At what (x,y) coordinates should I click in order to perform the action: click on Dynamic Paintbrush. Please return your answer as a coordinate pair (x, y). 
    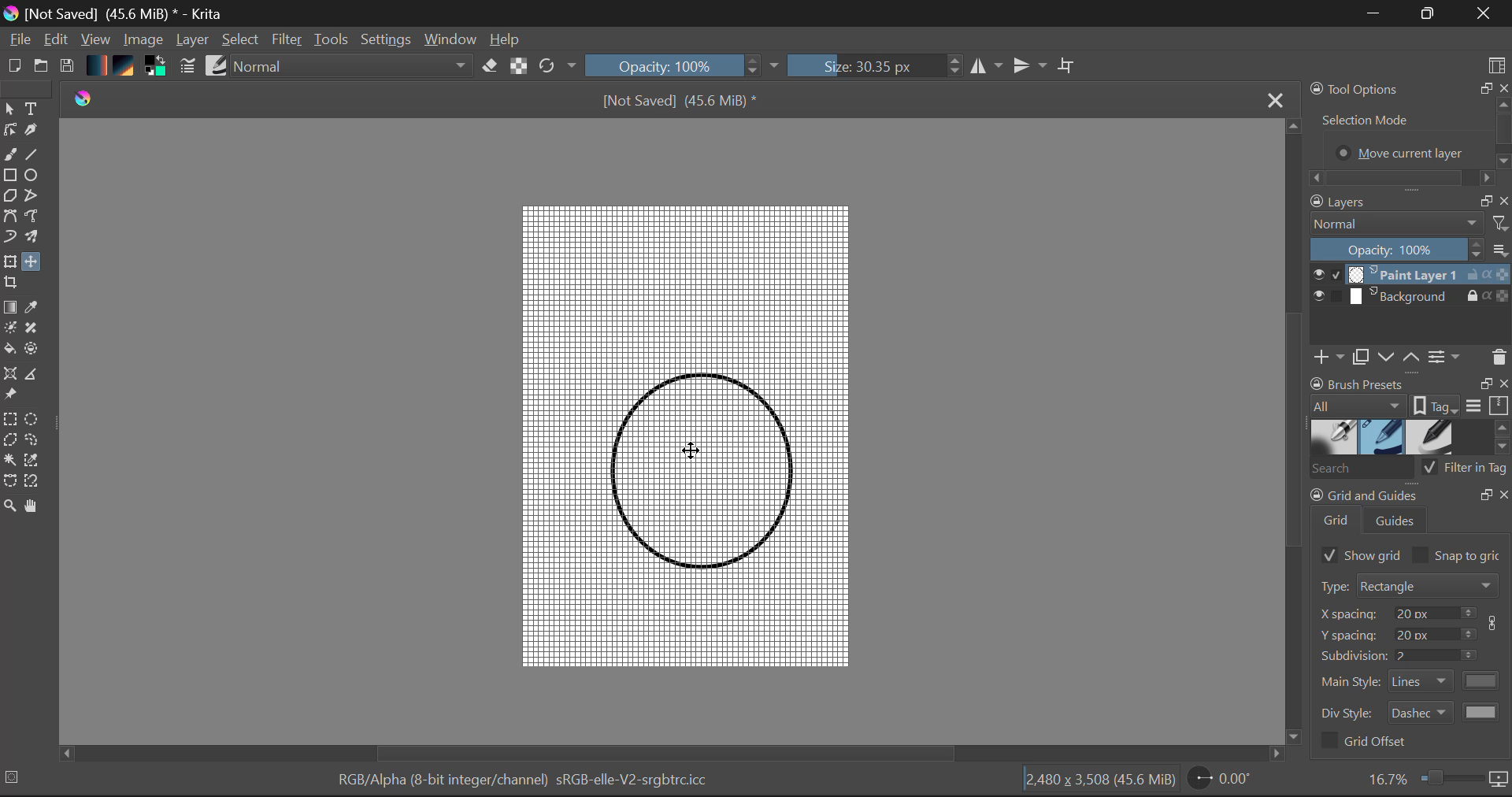
    Looking at the image, I should click on (9, 238).